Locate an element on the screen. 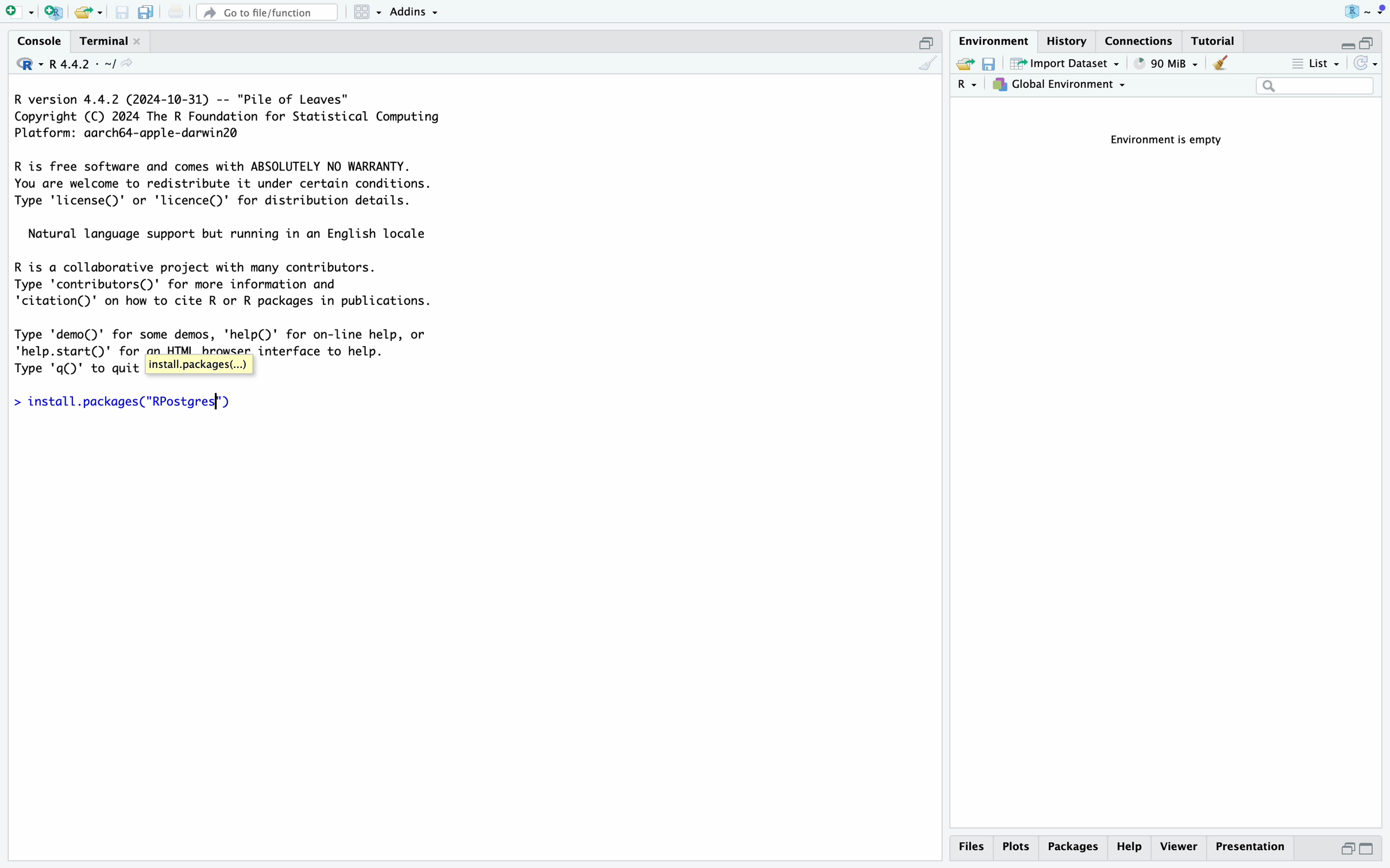 The width and height of the screenshot is (1390, 868). packages is located at coordinates (1072, 849).